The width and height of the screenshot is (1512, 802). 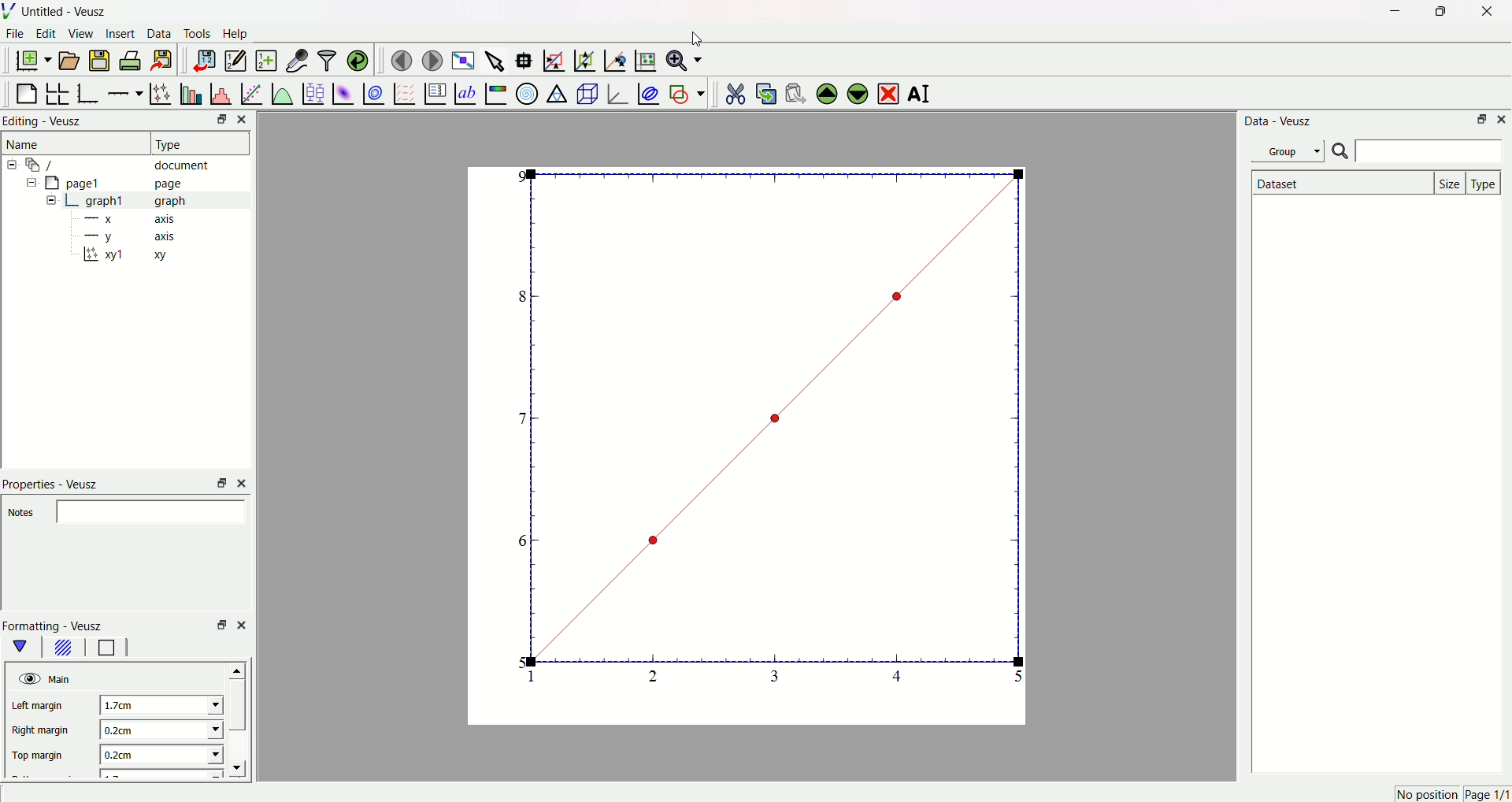 What do you see at coordinates (169, 60) in the screenshot?
I see `export document` at bounding box center [169, 60].